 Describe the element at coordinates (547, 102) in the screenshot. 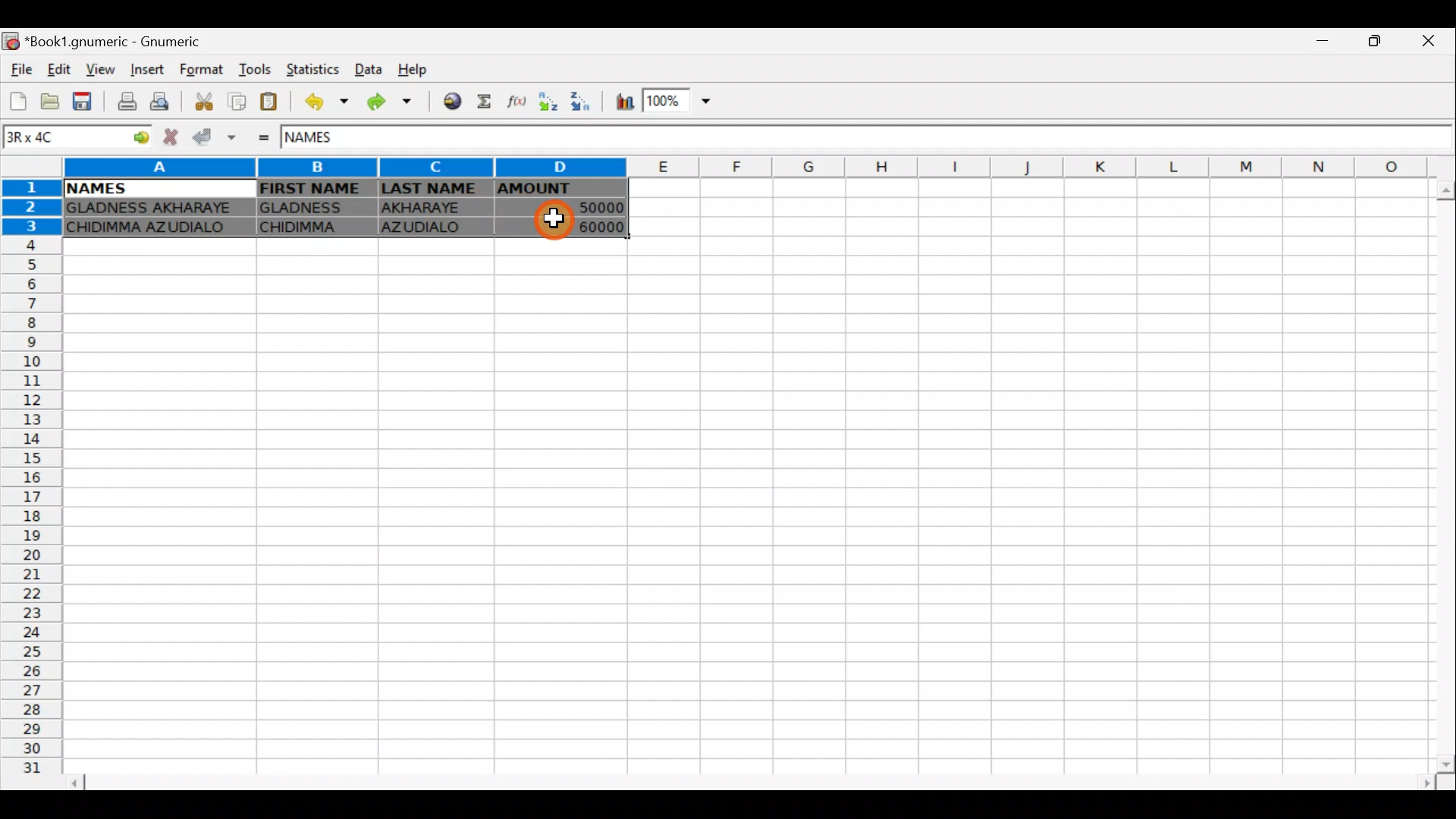

I see `Sort Ascending order` at that location.